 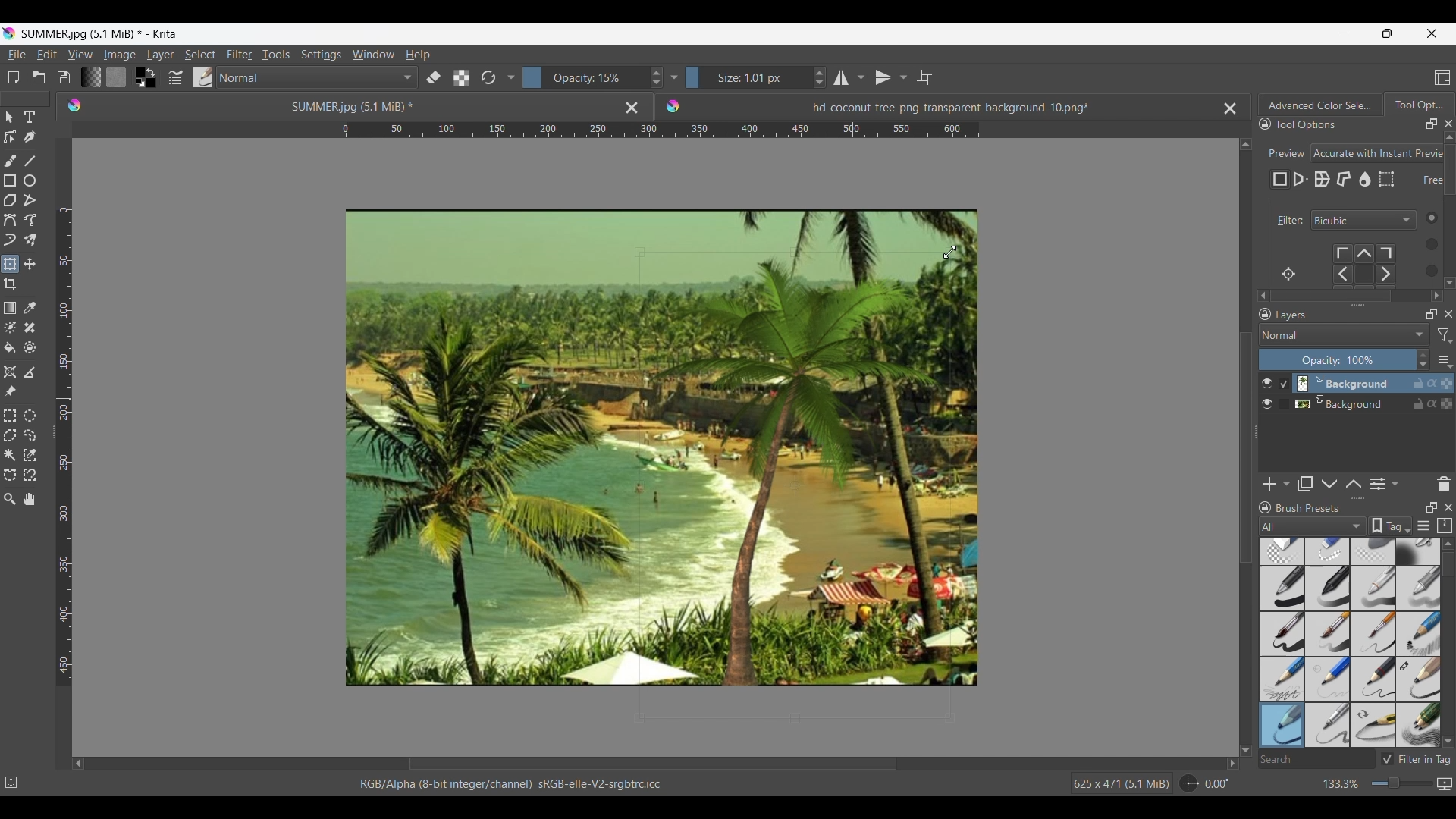 I want to click on Change angle of canvas, so click(x=1206, y=783).